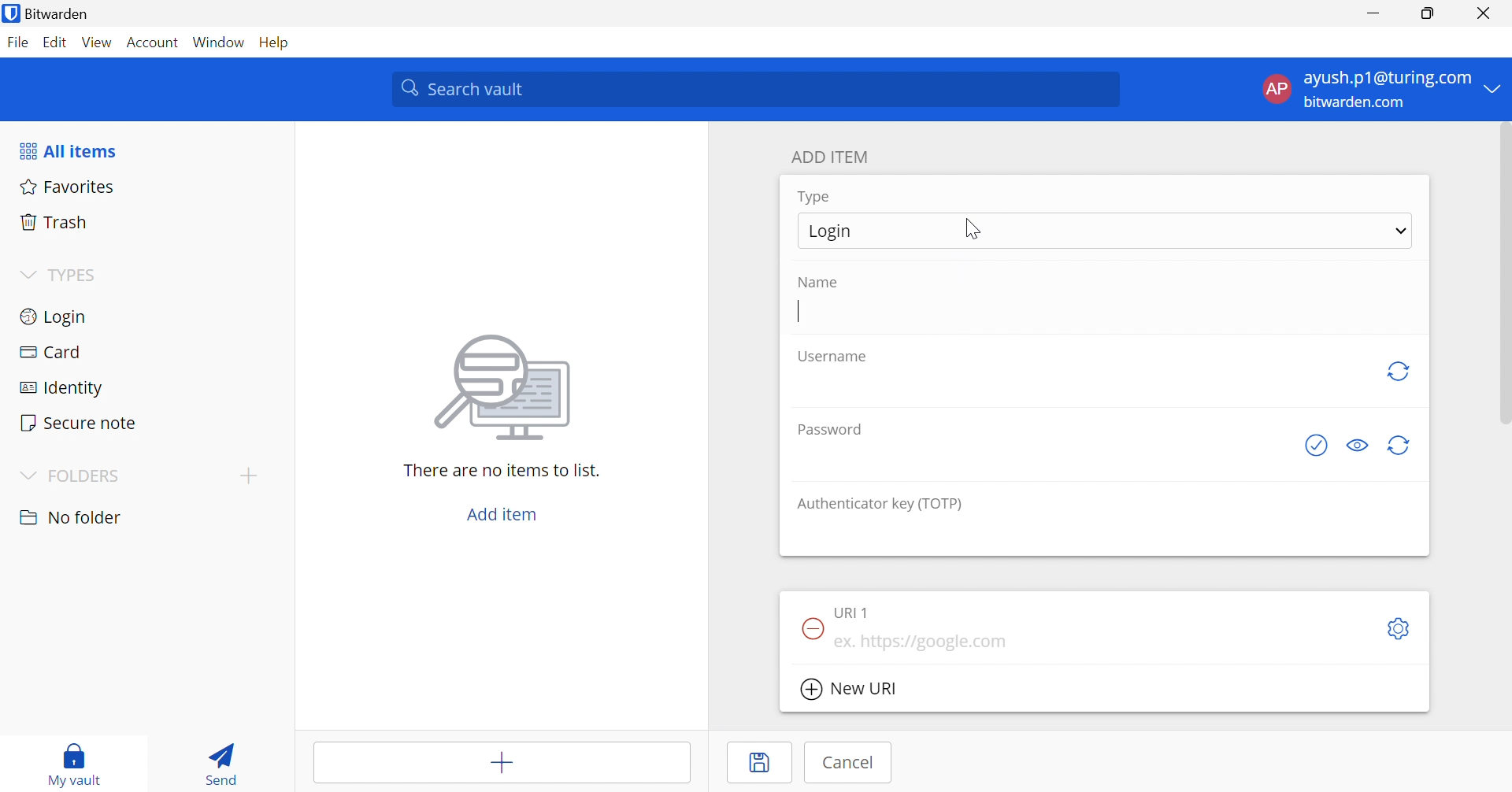 The image size is (1512, 792). I want to click on Add folder, so click(246, 475).